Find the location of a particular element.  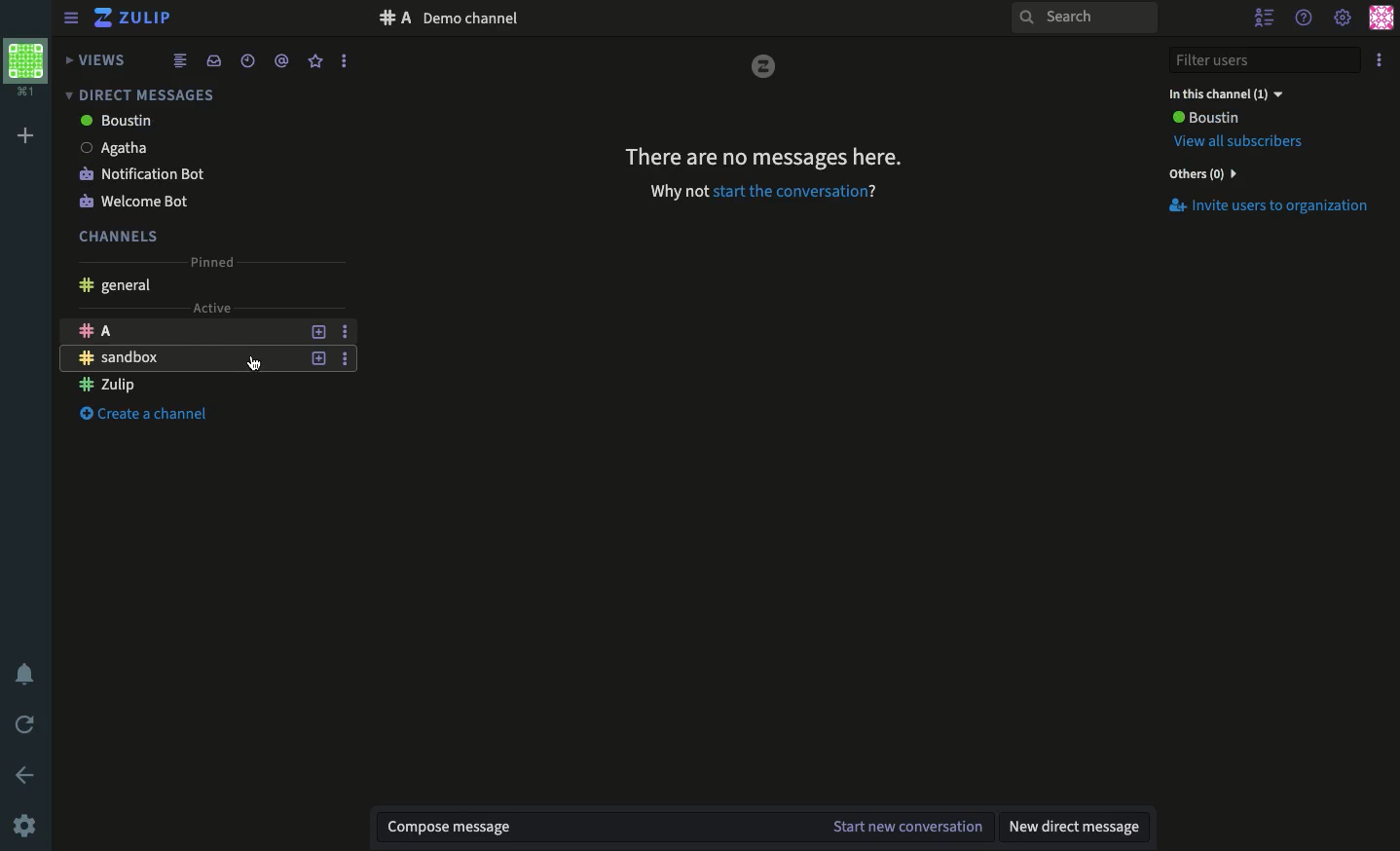

Others is located at coordinates (1200, 173).